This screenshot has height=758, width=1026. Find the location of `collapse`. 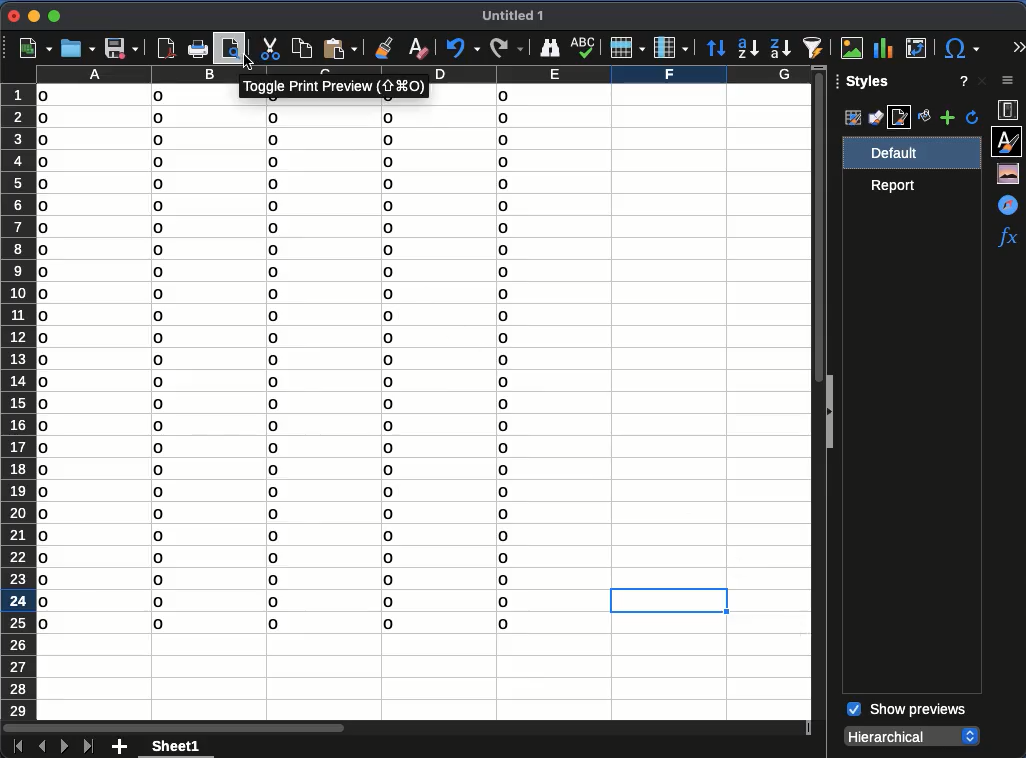

collapse is located at coordinates (828, 412).